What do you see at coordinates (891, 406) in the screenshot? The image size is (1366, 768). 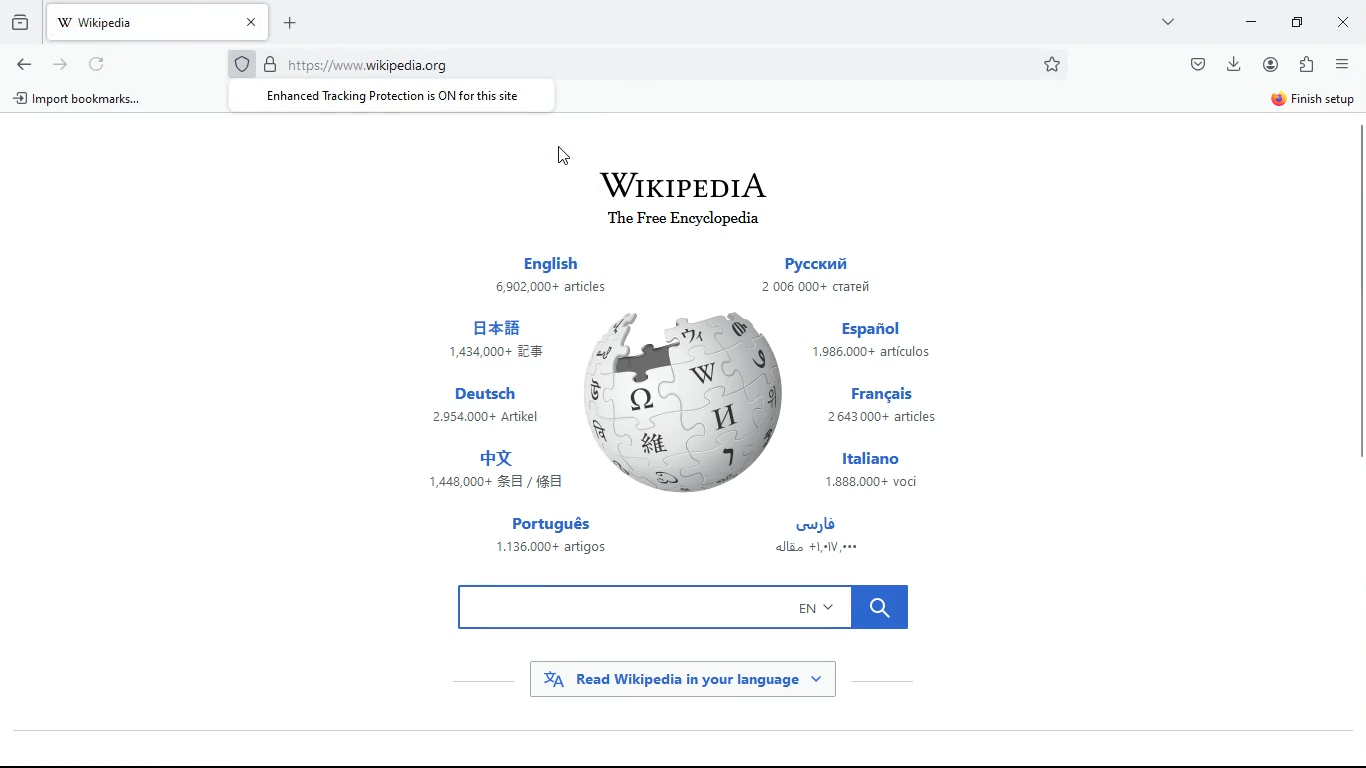 I see `français` at bounding box center [891, 406].